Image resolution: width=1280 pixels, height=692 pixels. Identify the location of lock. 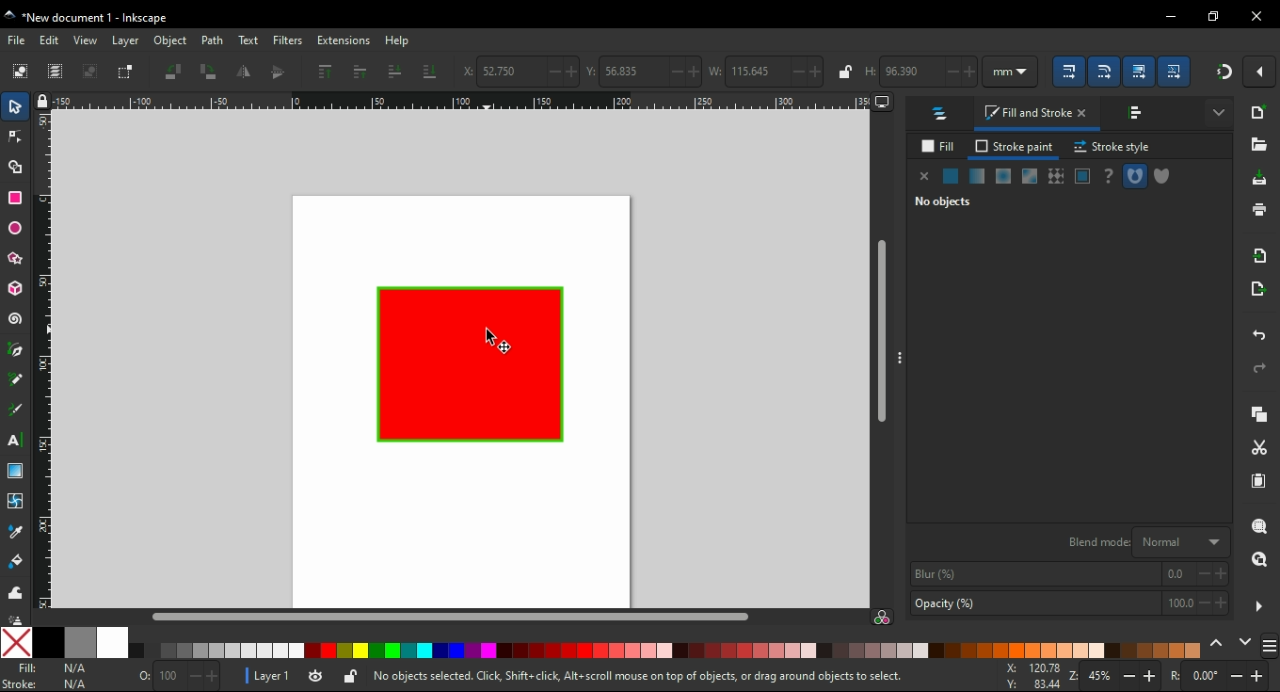
(41, 101).